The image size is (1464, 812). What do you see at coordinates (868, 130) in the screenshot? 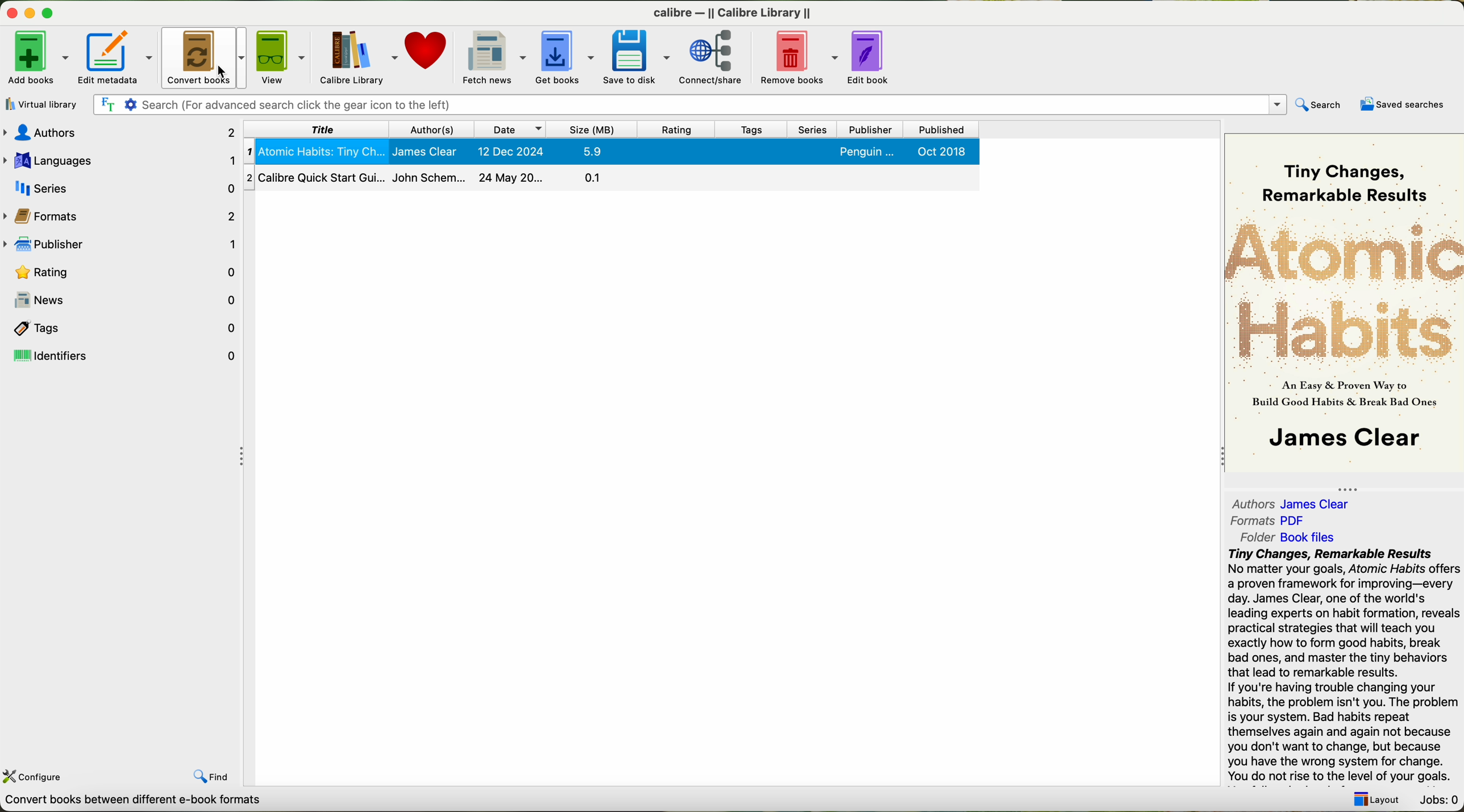
I see `publisher` at bounding box center [868, 130].